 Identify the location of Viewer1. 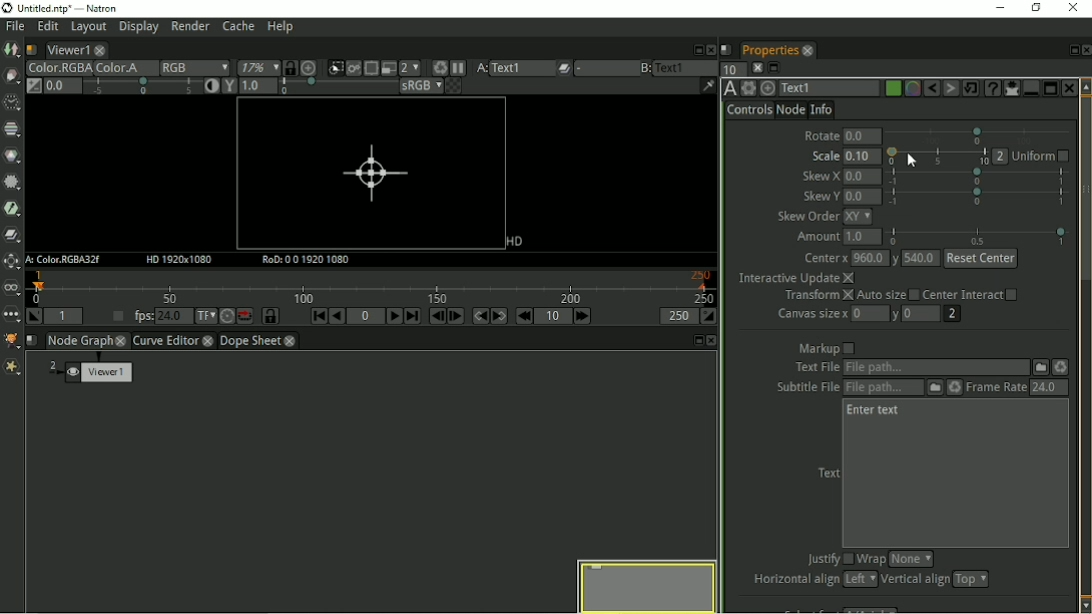
(75, 49).